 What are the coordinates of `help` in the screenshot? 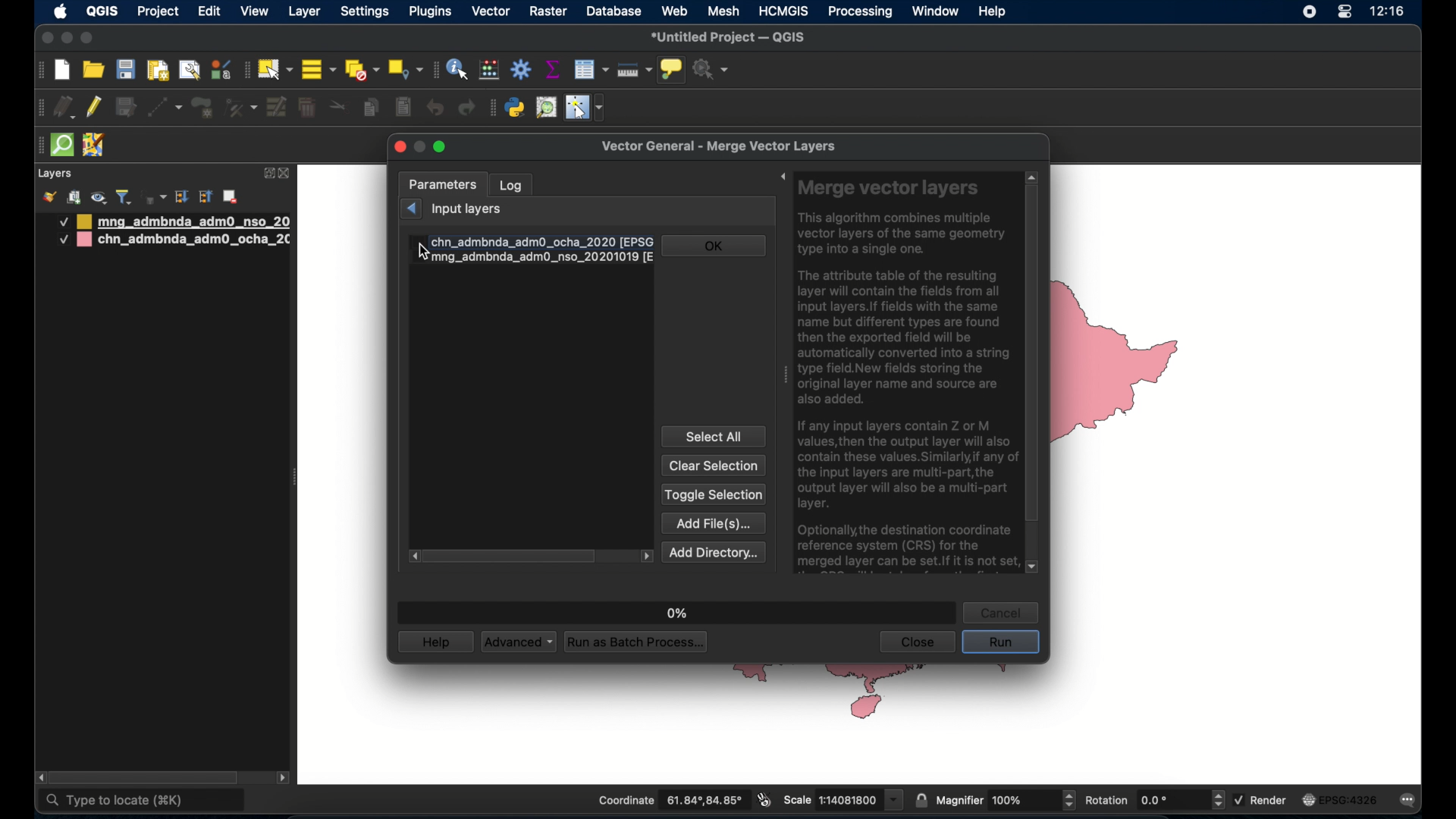 It's located at (993, 11).